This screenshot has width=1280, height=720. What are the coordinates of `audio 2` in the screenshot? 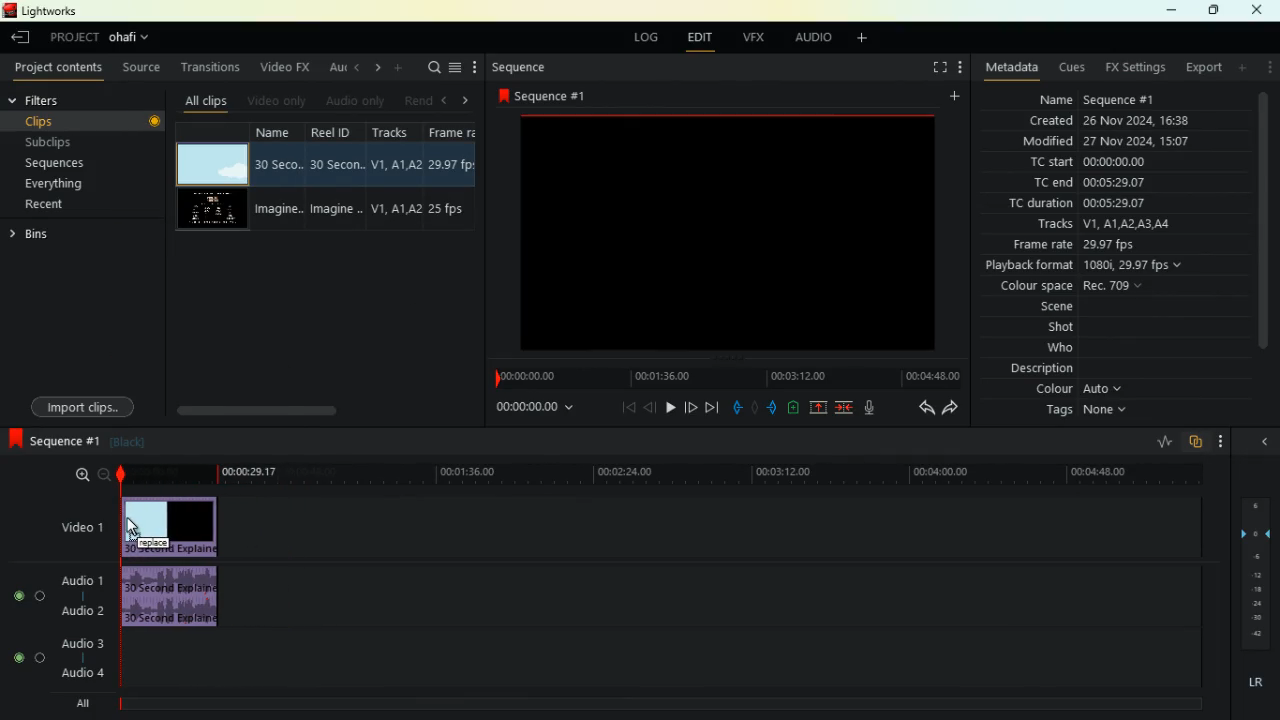 It's located at (76, 611).